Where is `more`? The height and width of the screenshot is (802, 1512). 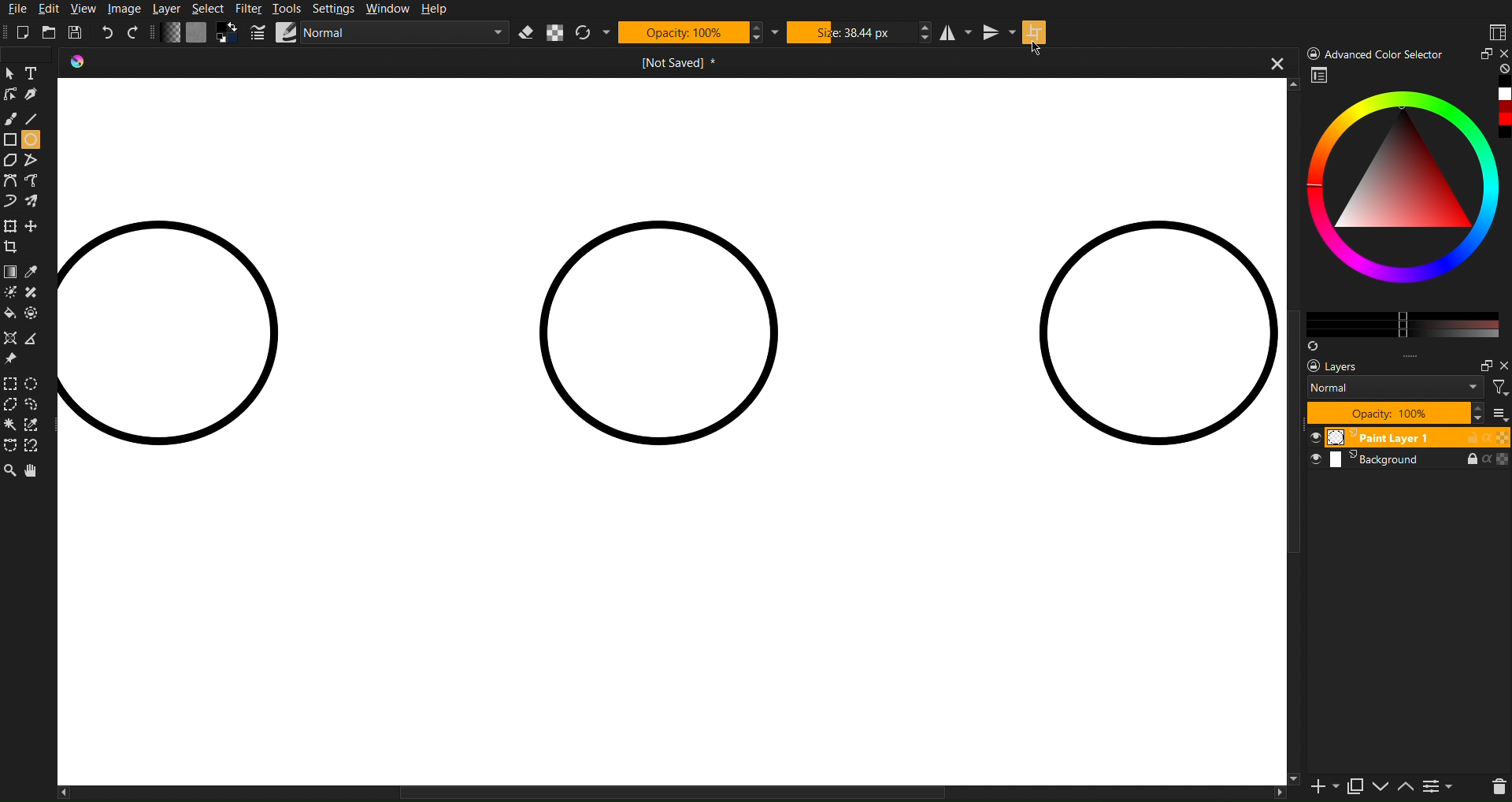 more is located at coordinates (1412, 355).